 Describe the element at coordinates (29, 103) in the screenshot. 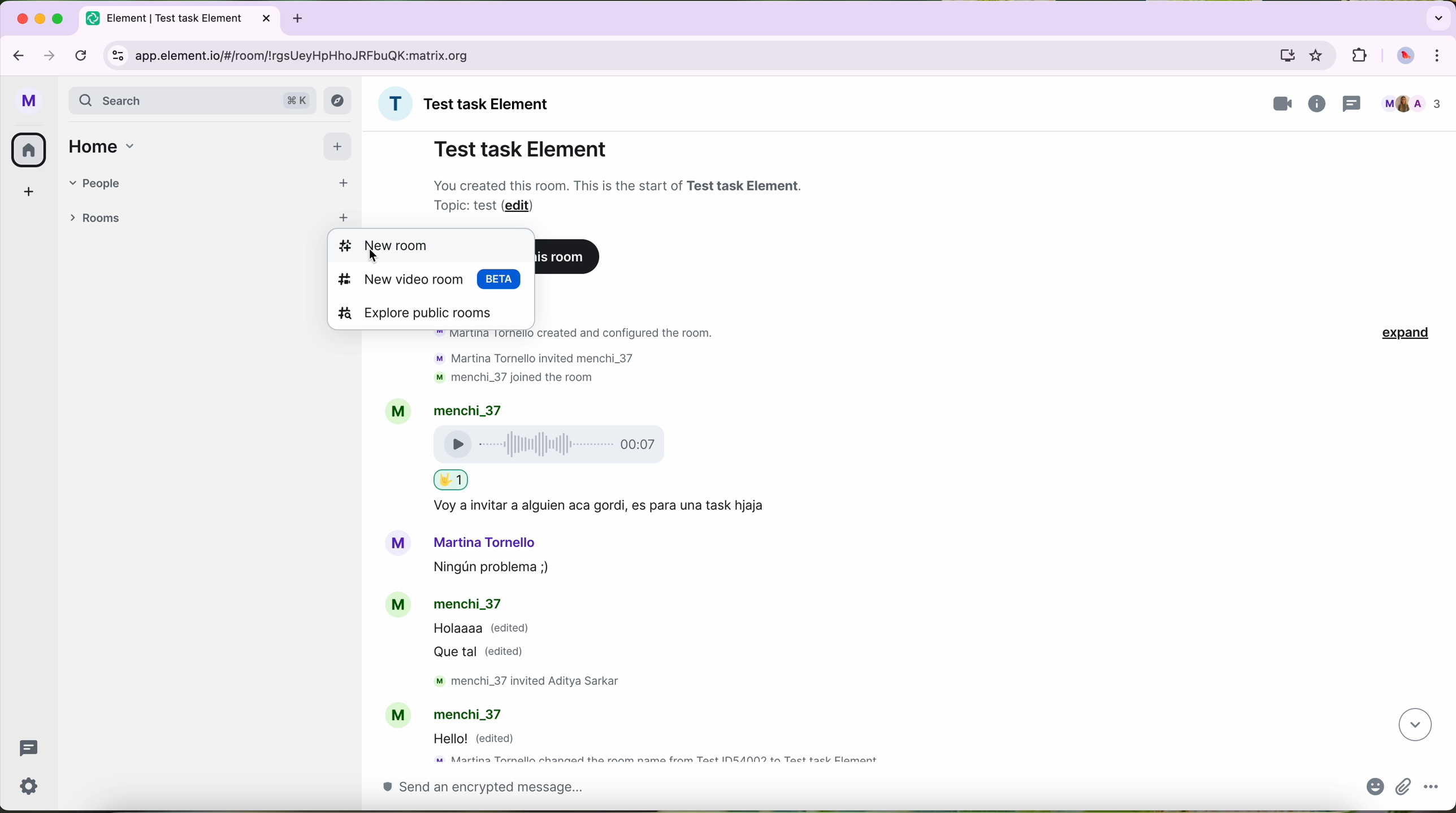

I see `profile` at that location.